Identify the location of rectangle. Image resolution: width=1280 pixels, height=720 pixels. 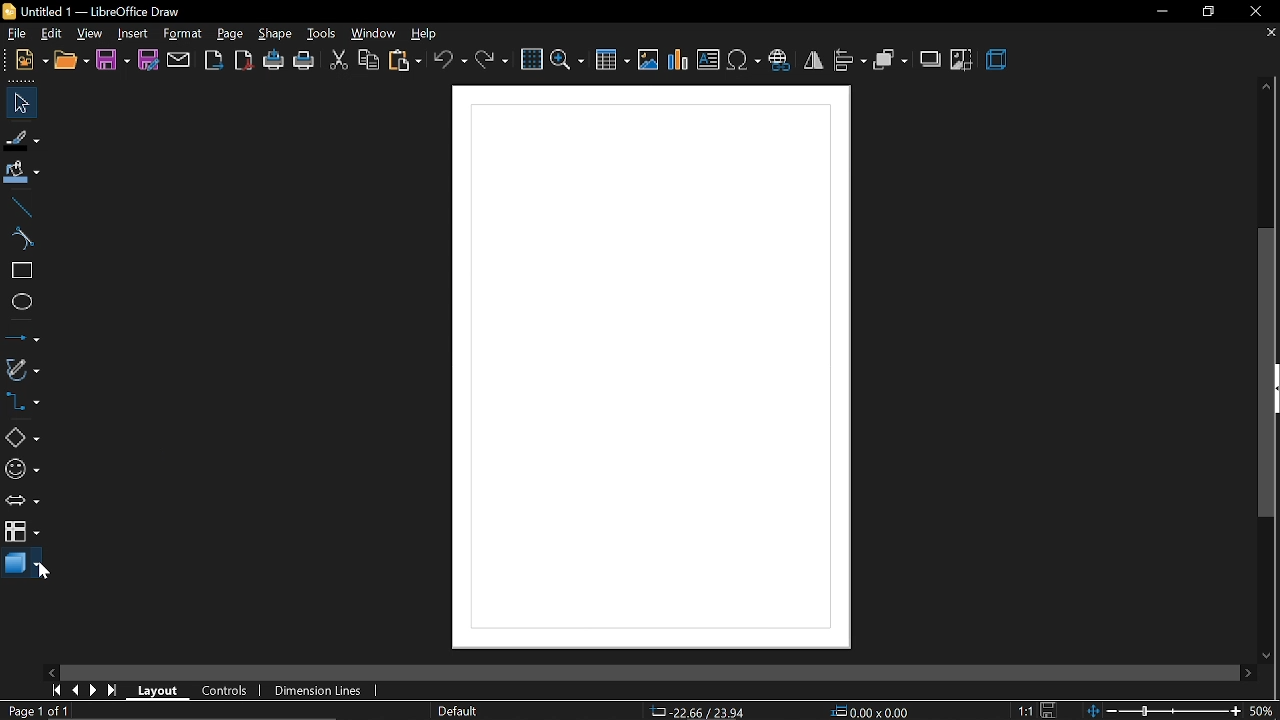
(19, 270).